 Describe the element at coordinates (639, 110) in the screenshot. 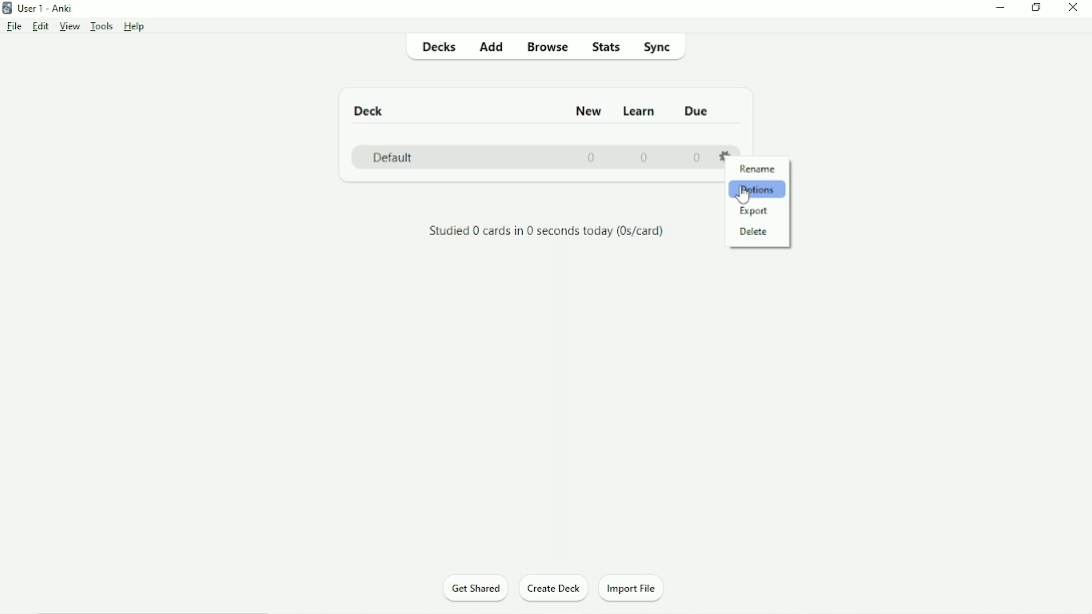

I see `Learn` at that location.